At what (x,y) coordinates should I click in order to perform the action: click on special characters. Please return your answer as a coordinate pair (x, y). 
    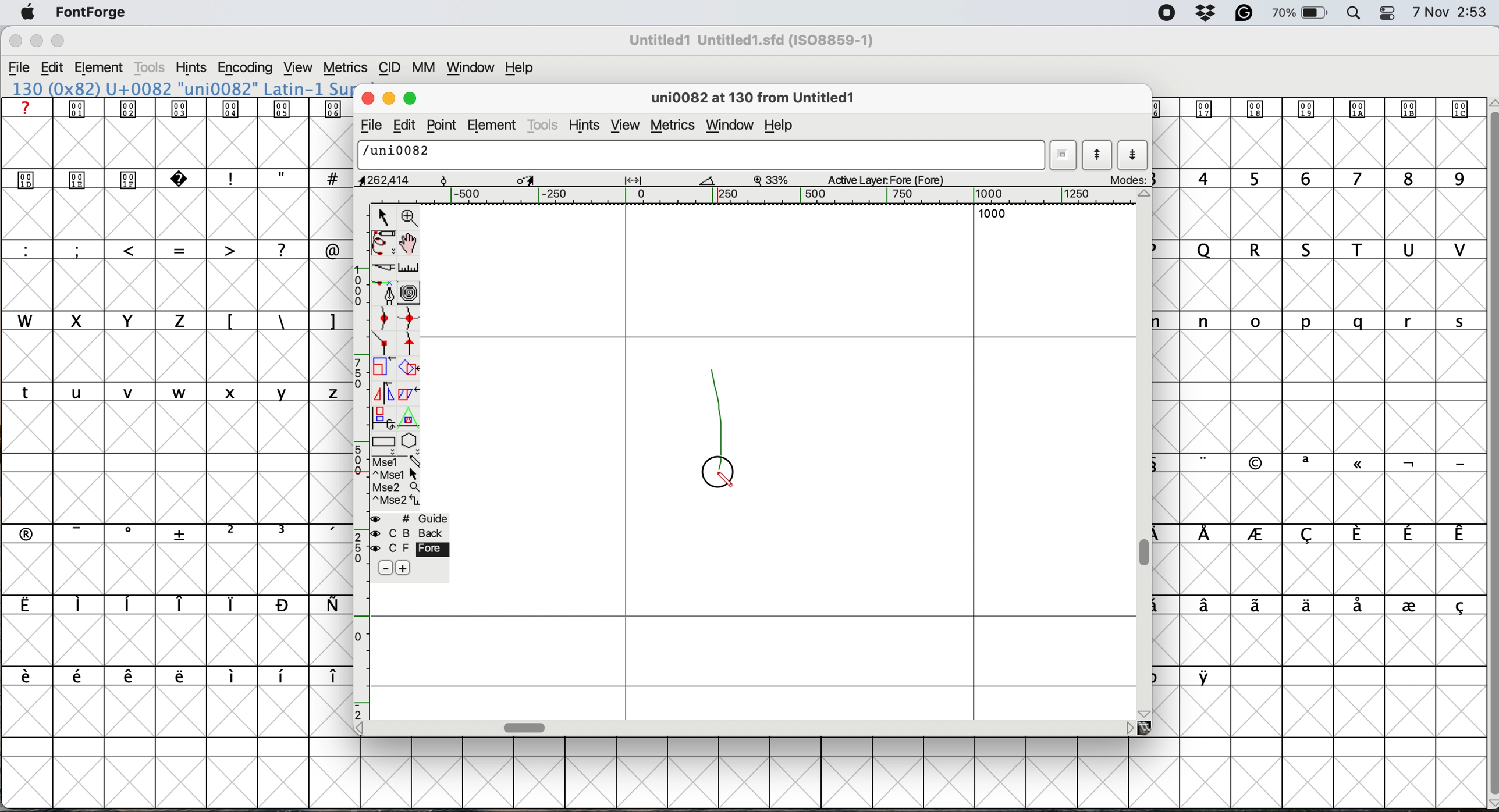
    Looking at the image, I should click on (1319, 606).